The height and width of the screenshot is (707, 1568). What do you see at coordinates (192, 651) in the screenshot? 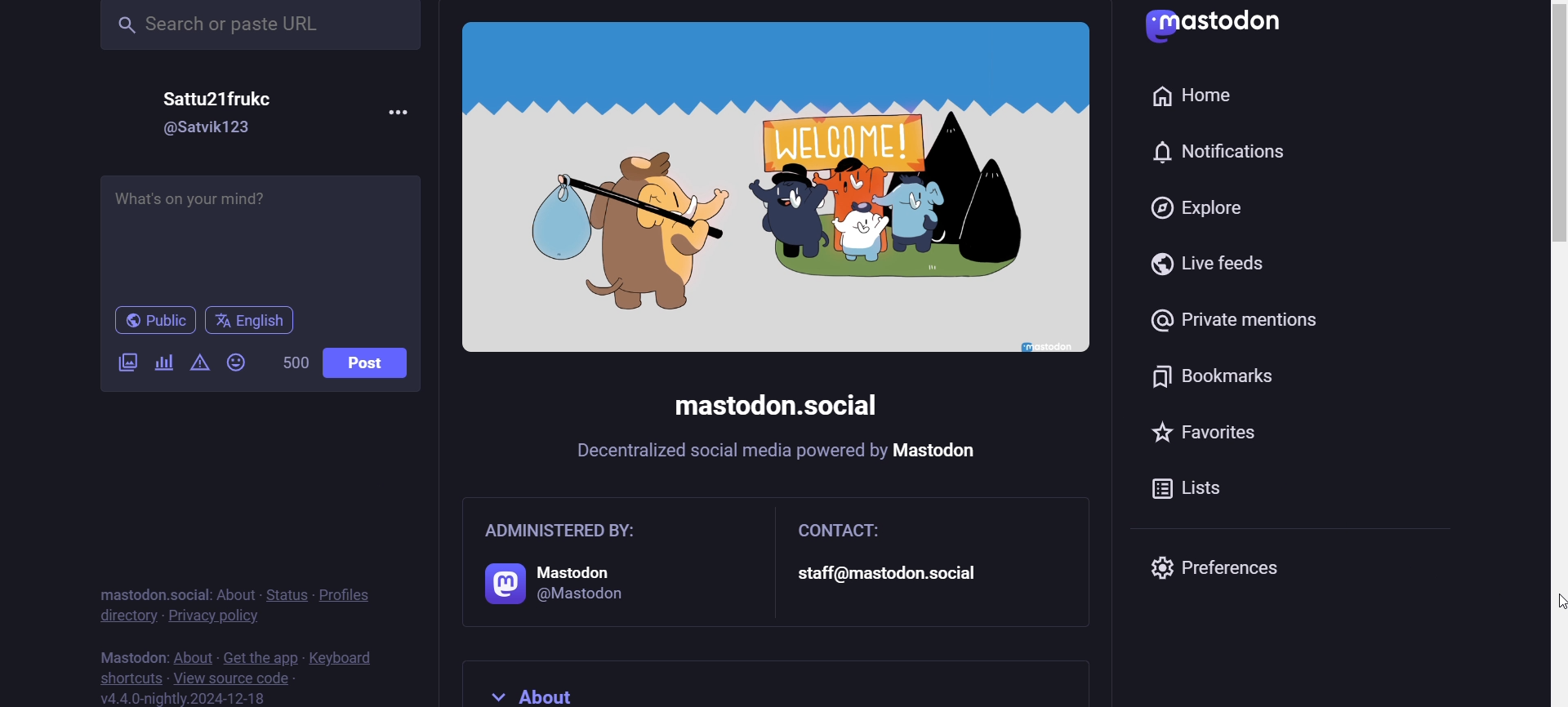
I see `about` at bounding box center [192, 651].